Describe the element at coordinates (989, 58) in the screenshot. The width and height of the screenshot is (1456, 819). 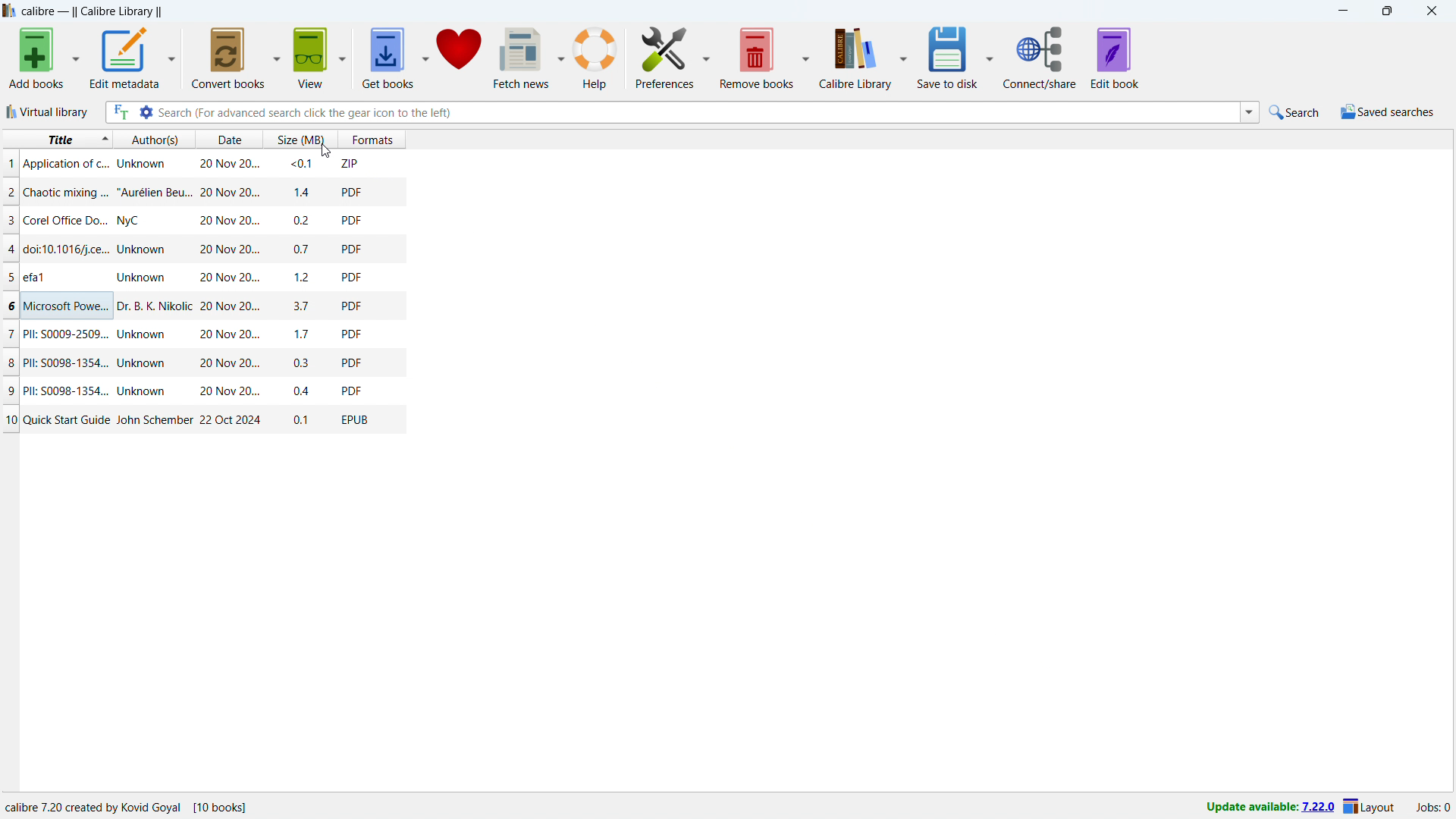
I see `save to disk options` at that location.